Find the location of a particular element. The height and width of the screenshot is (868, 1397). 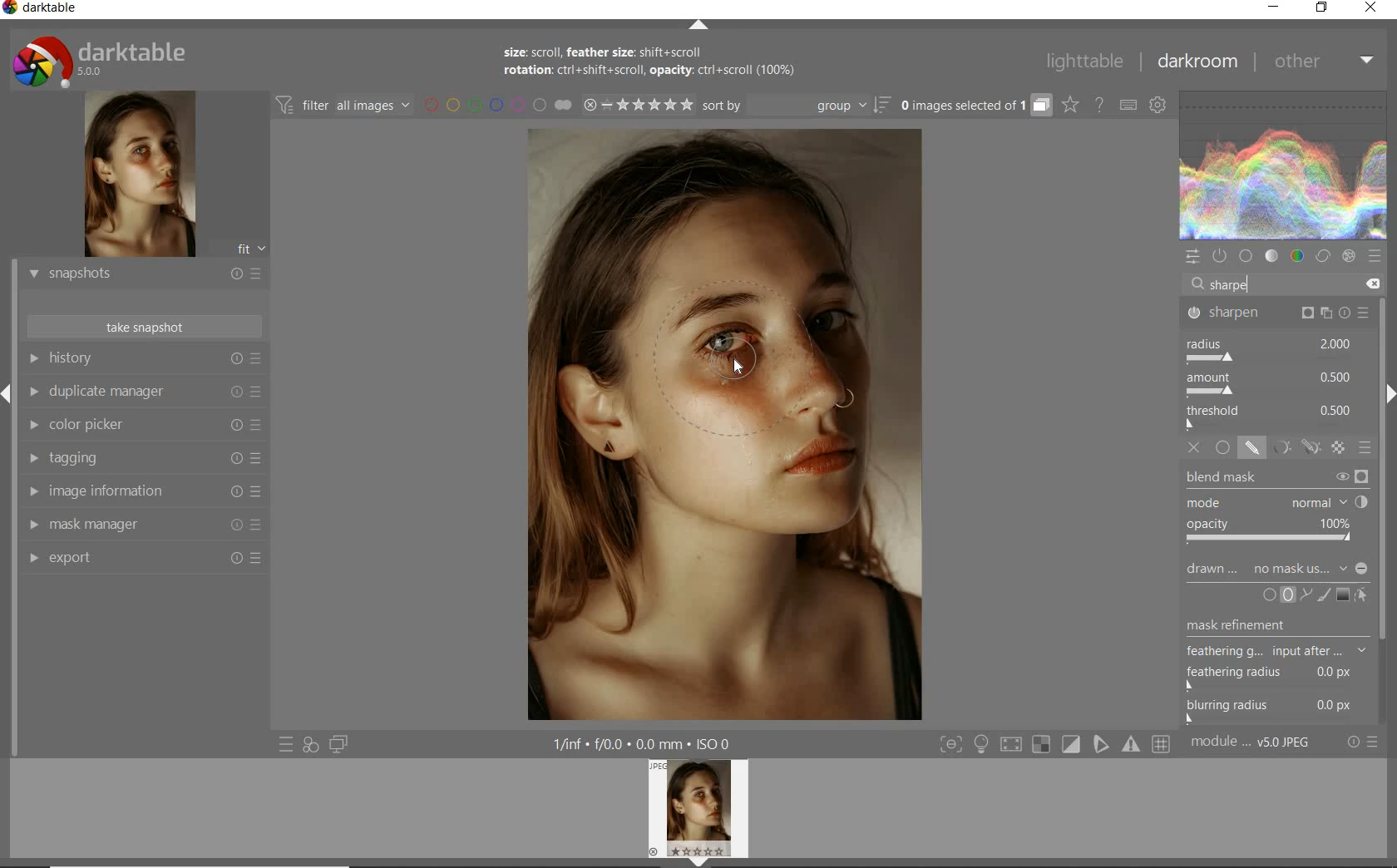

correct is located at coordinates (1322, 258).